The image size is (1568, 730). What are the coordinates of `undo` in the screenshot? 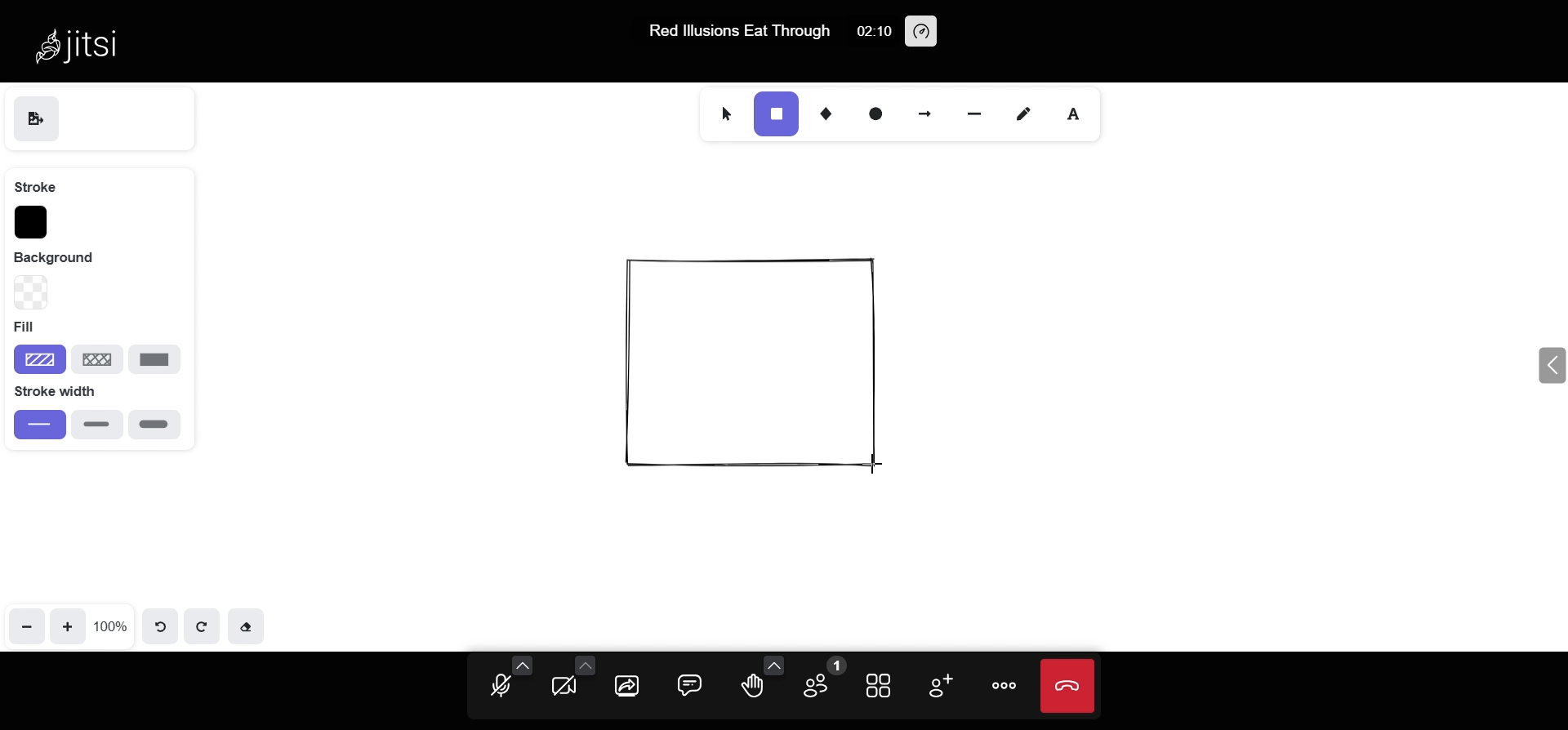 It's located at (165, 625).